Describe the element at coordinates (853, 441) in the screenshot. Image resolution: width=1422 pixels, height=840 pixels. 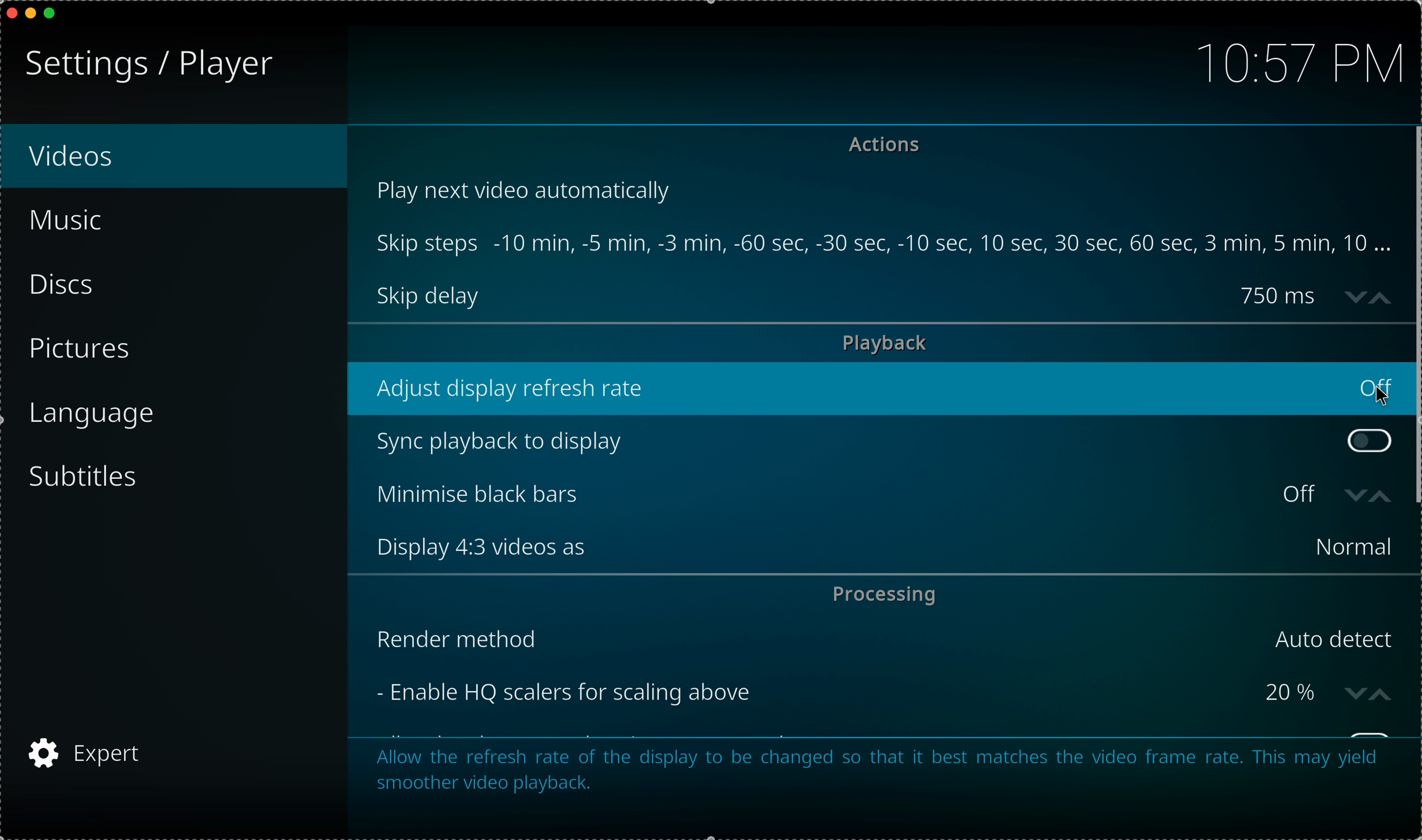
I see `sync playback to display` at that location.